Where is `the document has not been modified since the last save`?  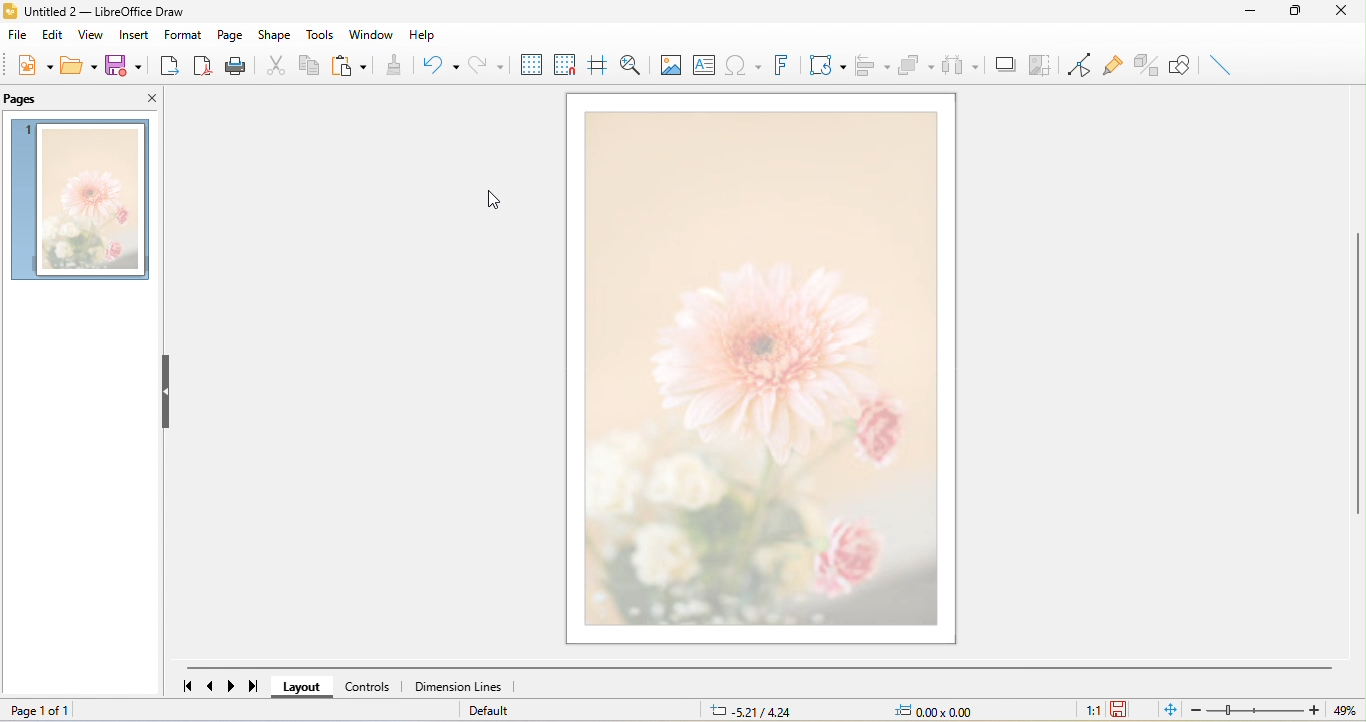
the document has not been modified since the last save is located at coordinates (1121, 709).